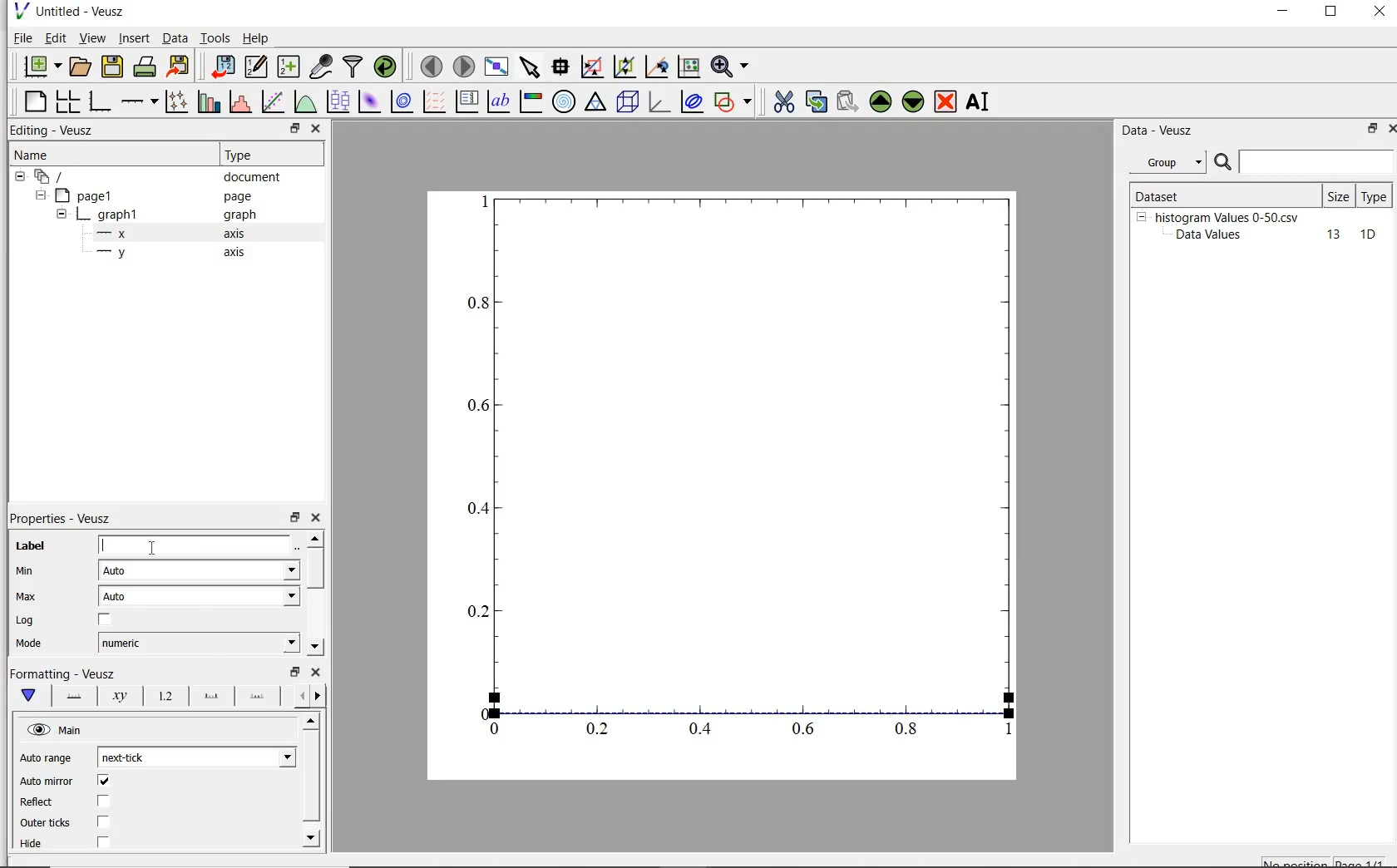  Describe the element at coordinates (103, 801) in the screenshot. I see `checkbox` at that location.